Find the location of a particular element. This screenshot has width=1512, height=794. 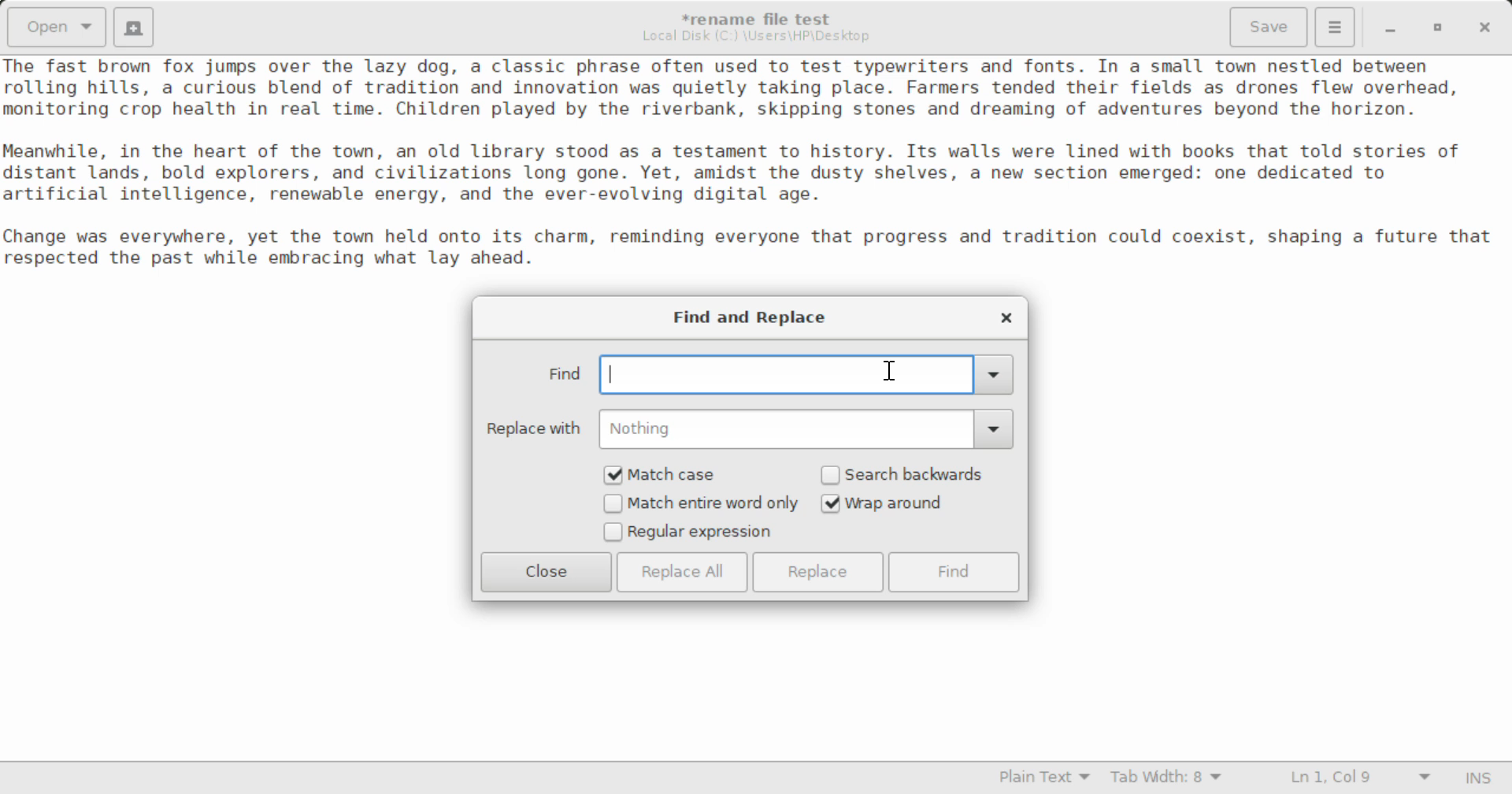

Ihe Tast brown Tox jumps over the lazy dog, a classic phrase often used to test typewriters and fonts. In a small town nestled between
rolling hills, a curious blend of tradition and innovation was quietly taking place. Farmers tended their fields as drones flew overhead,
nonitoring crop health in real time. Children played by the riverbank, skipping stones and dreaming of adventures beyond the horizon.
leanwhile, in the heart of the town, an old library stood as a testament to history. Its walls were lined with books that told stories of
iistant lands, bold explorers, and civilizations long gone. Yet, amidst the dusty shelves, a new section emerged: one dedicated to
artificial intelligence, renewable energy, and the ever-evolving digital age.

“hange was everywhere, yet the town held onto its charm, reminding everyone that progress and tradition could coexist, shaping a future that
respected the past while embracing what lay ahead. is located at coordinates (756, 165).